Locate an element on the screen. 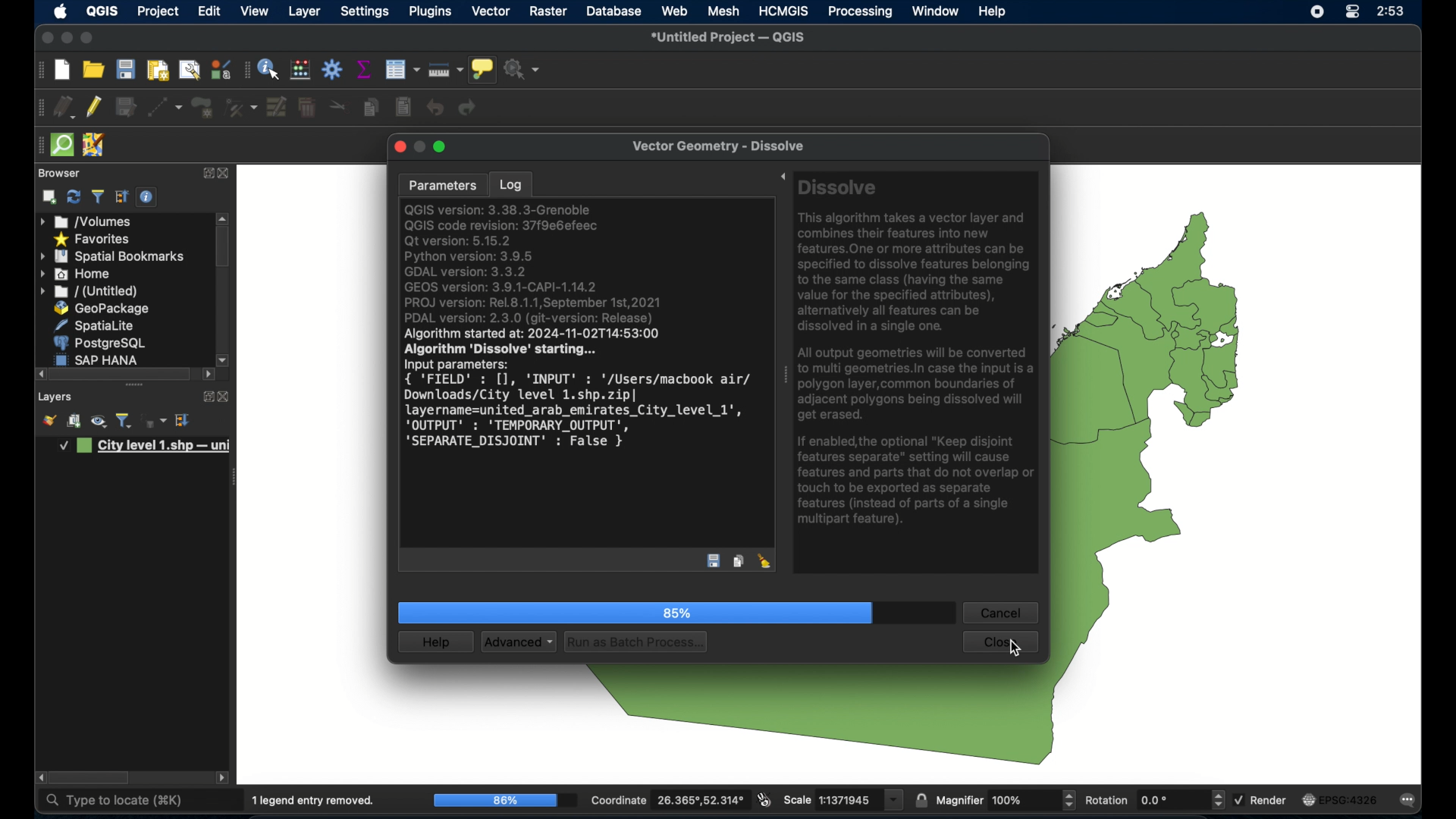  drag handle is located at coordinates (237, 476).